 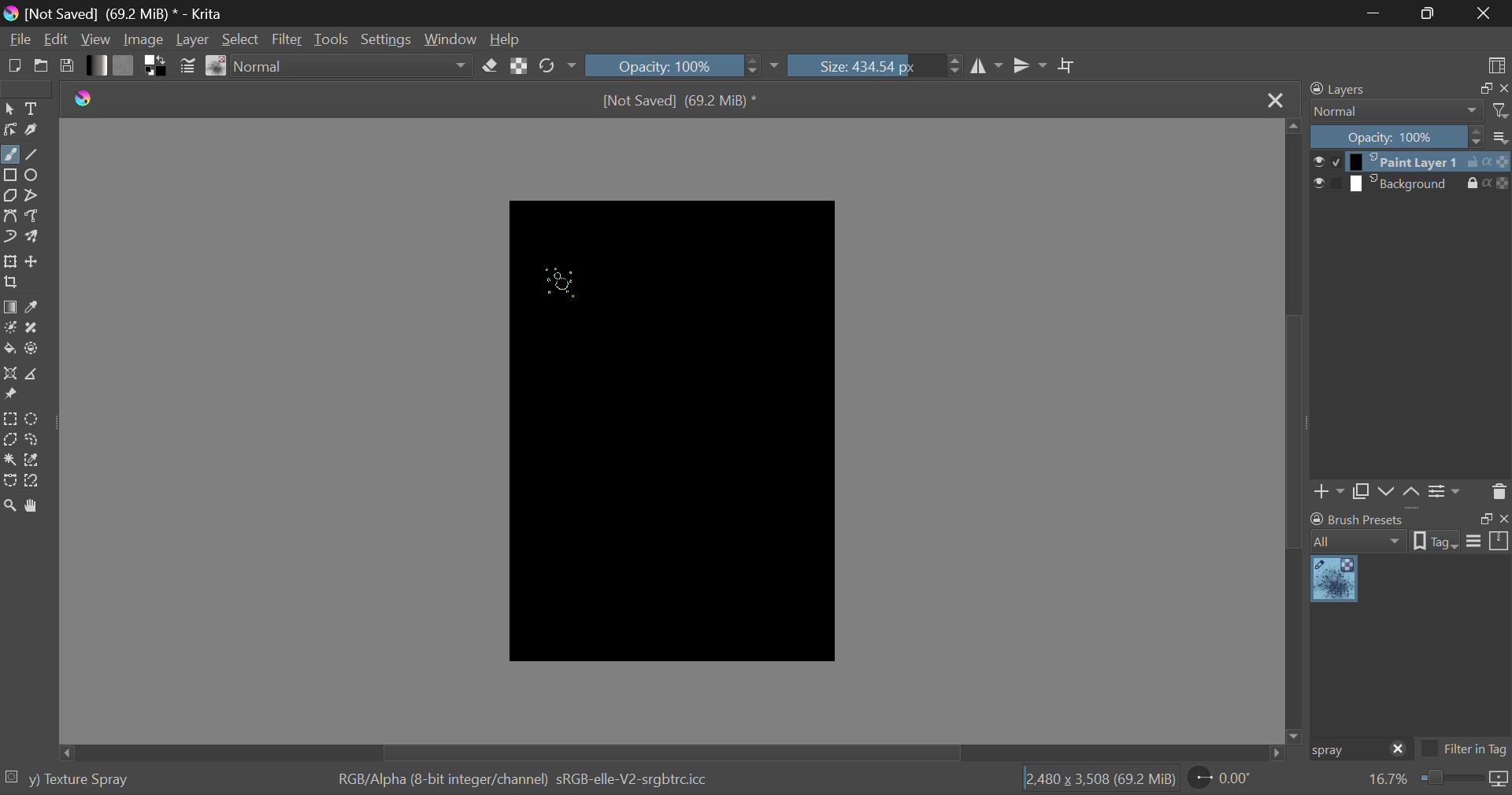 I want to click on Zoom, so click(x=11, y=508).